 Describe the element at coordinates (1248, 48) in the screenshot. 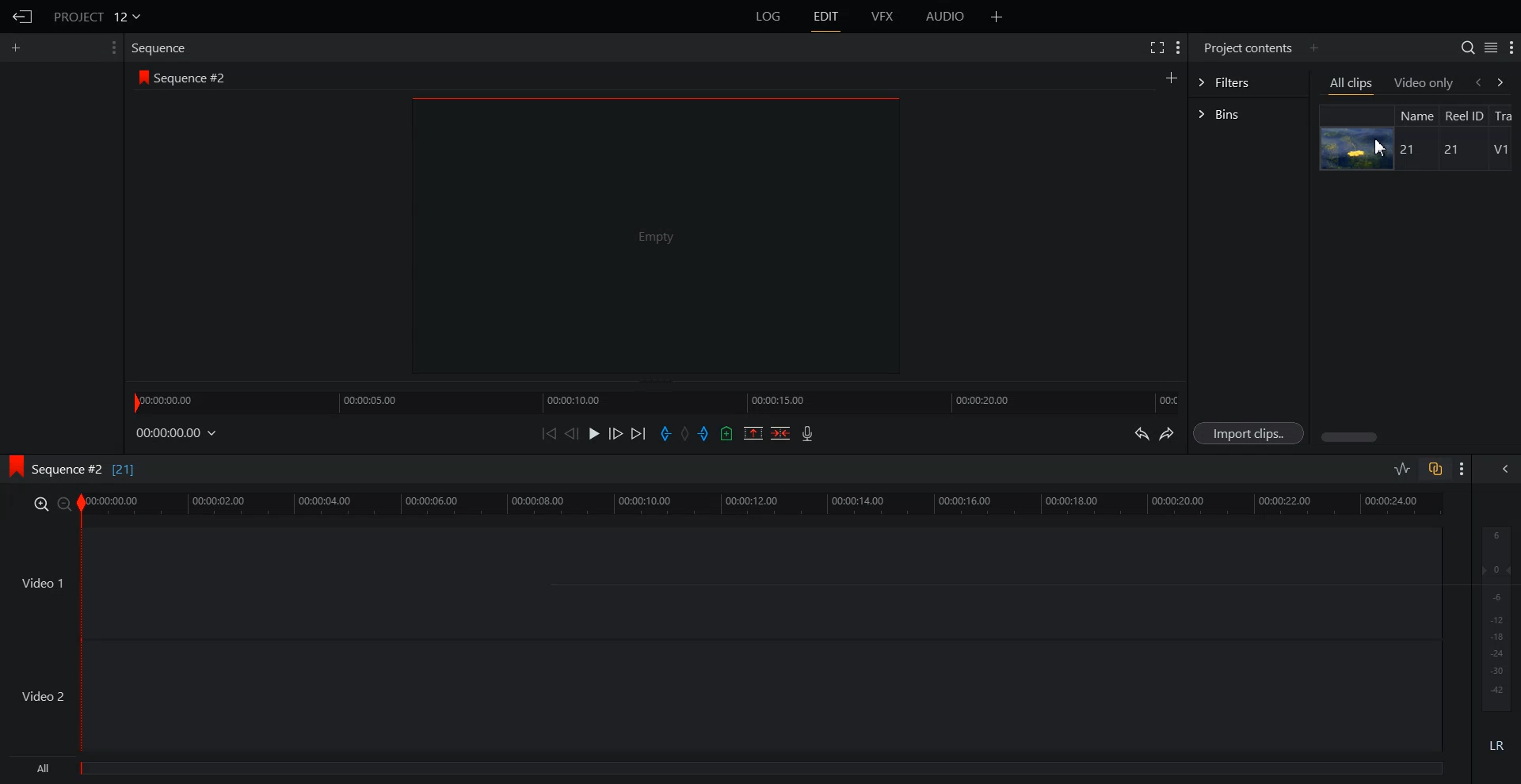

I see `Project contents` at that location.